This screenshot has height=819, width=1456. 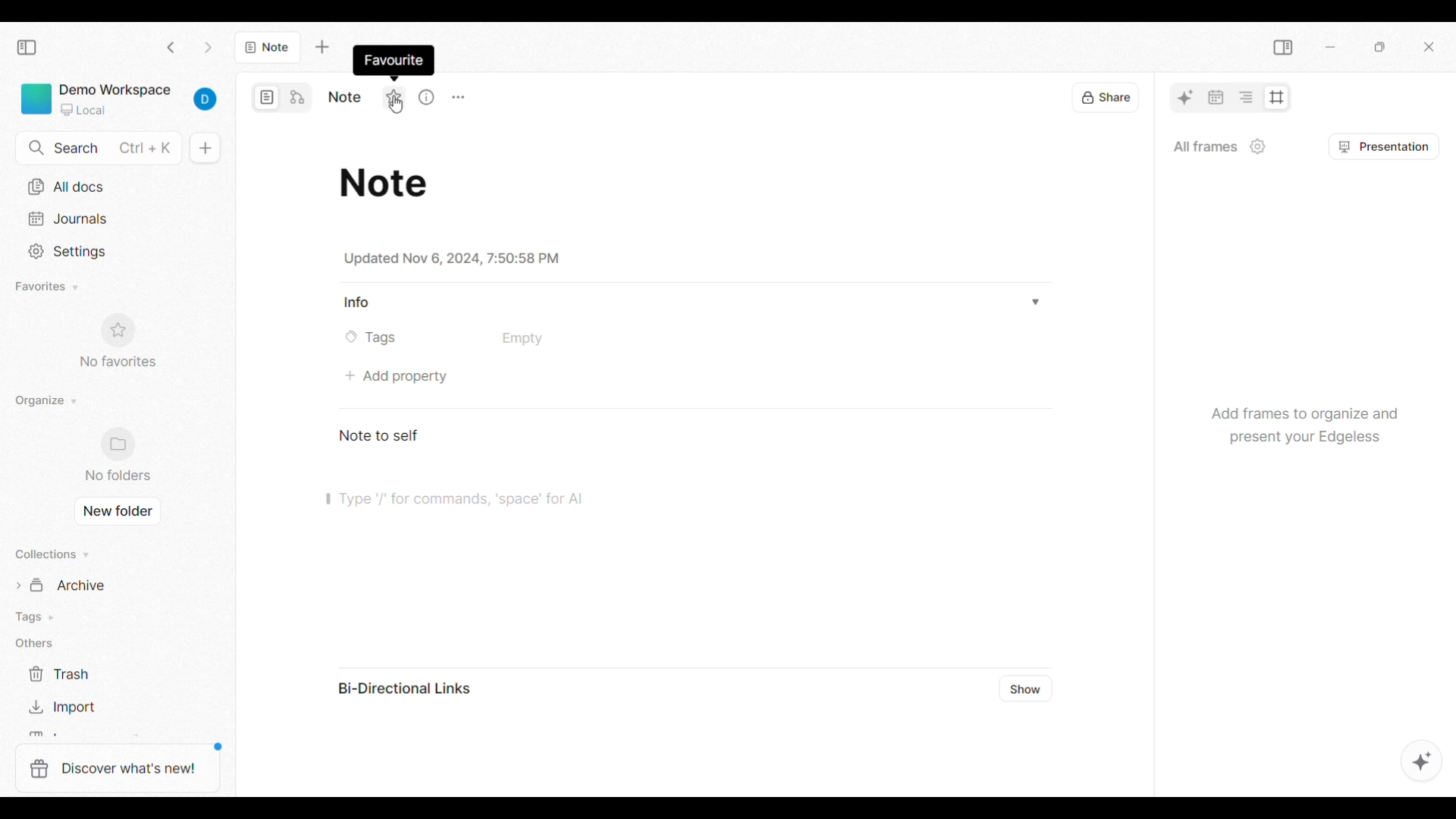 What do you see at coordinates (115, 188) in the screenshot?
I see `All docs` at bounding box center [115, 188].